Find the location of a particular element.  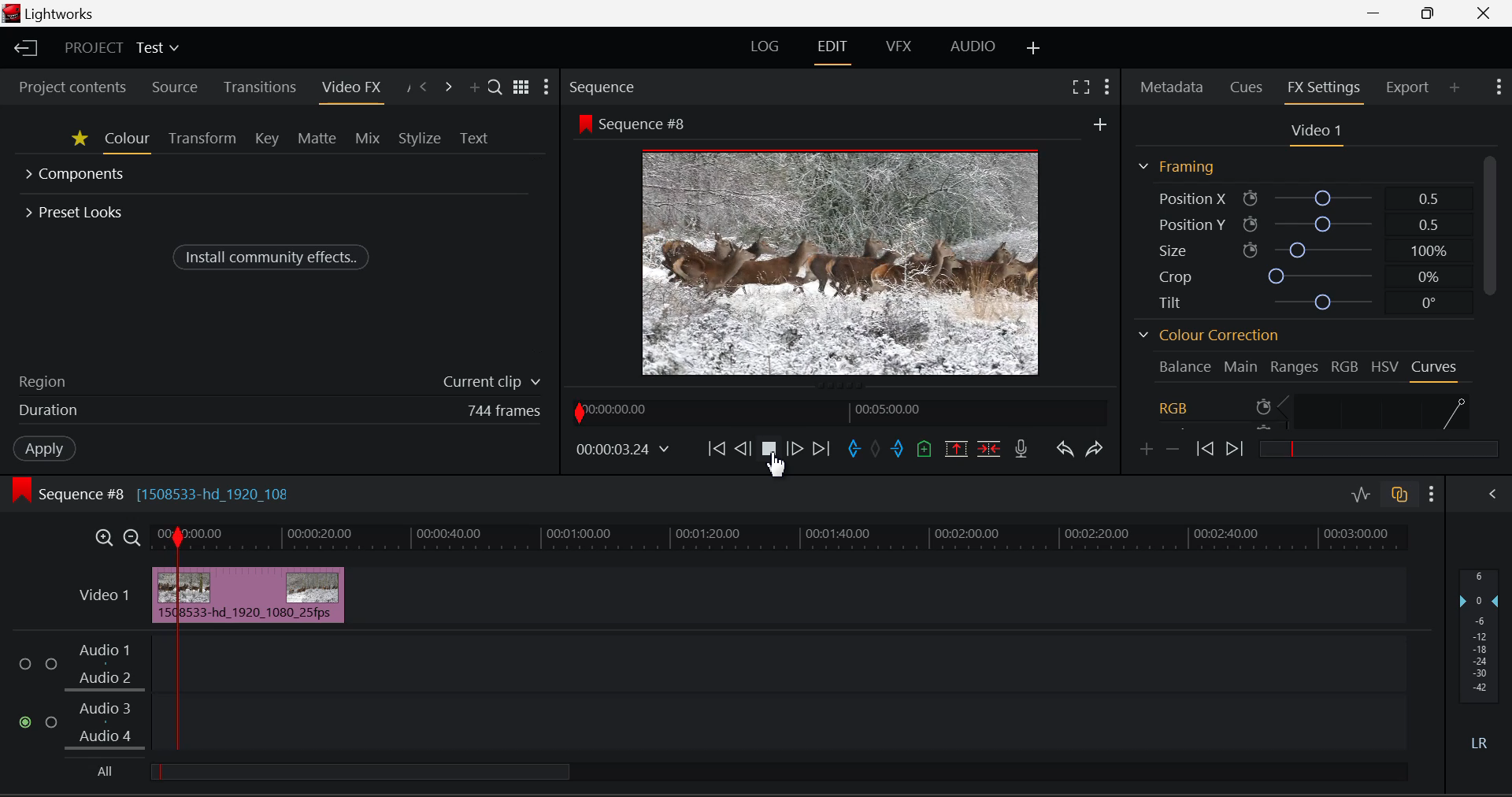

Record Voiceover is located at coordinates (1020, 450).